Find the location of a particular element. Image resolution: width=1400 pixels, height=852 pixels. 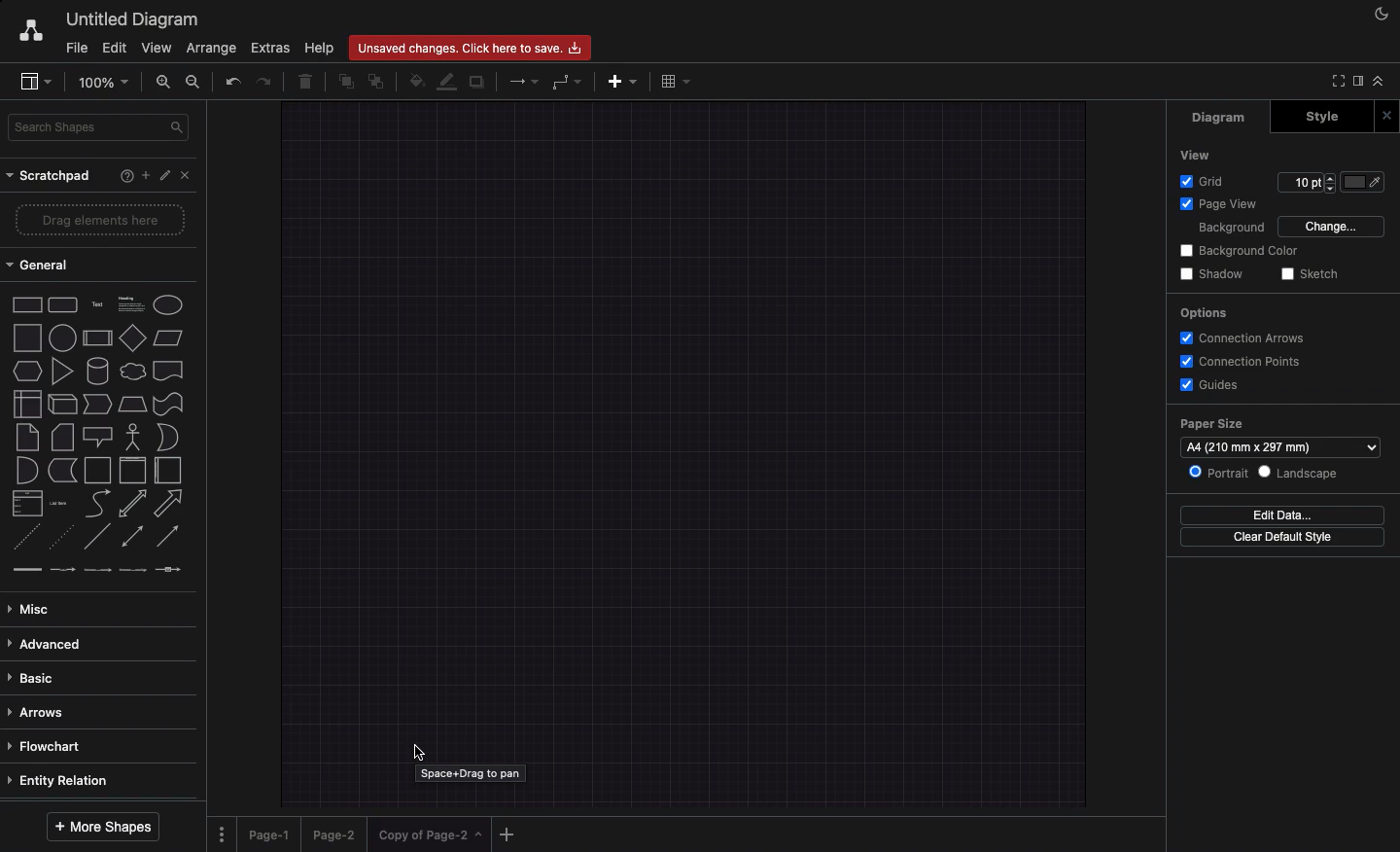

Trasha is located at coordinates (307, 81).